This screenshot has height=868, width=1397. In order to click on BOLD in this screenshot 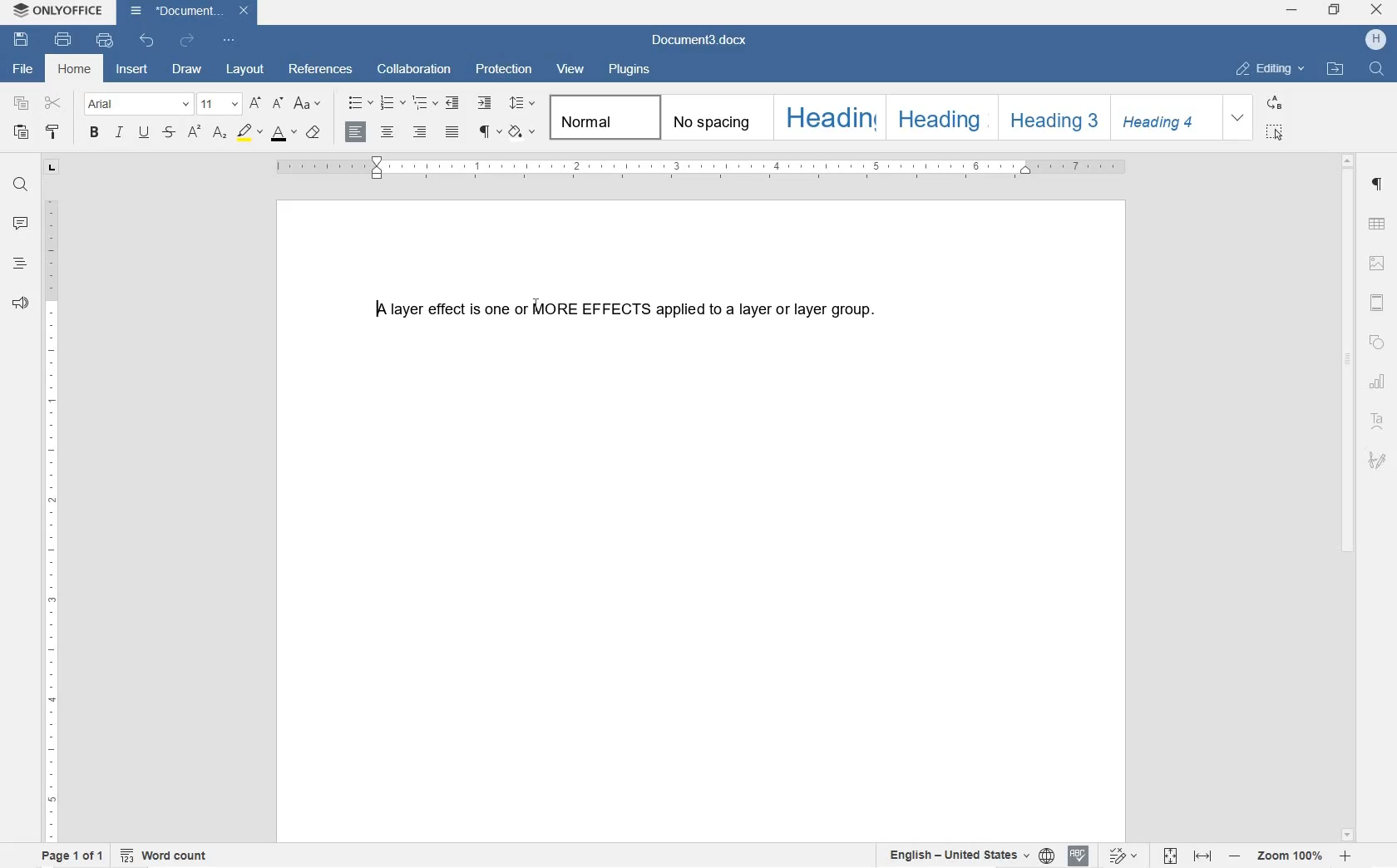, I will do `click(95, 134)`.